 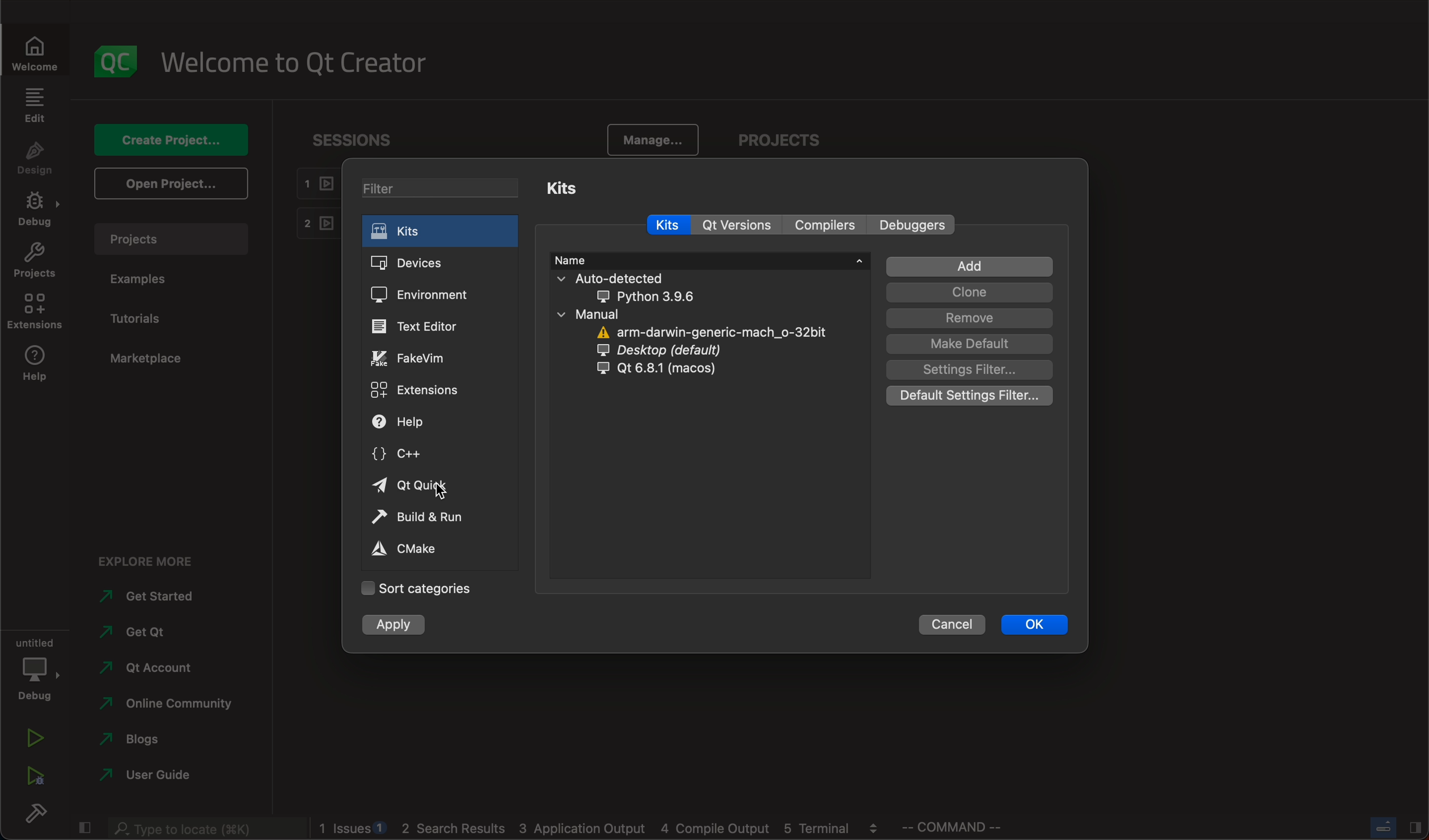 I want to click on kits, so click(x=445, y=232).